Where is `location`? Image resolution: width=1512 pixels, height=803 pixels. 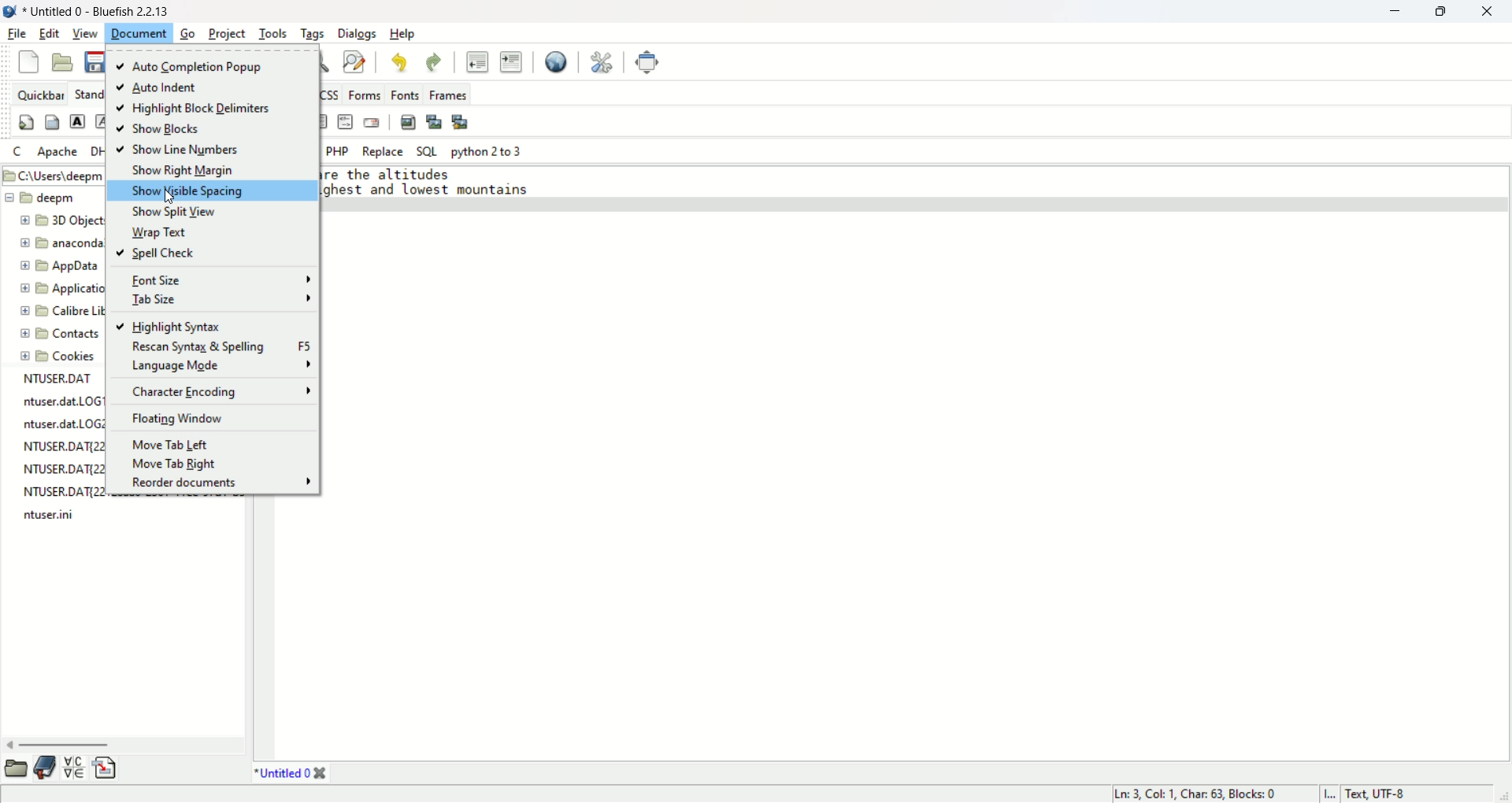
location is located at coordinates (50, 174).